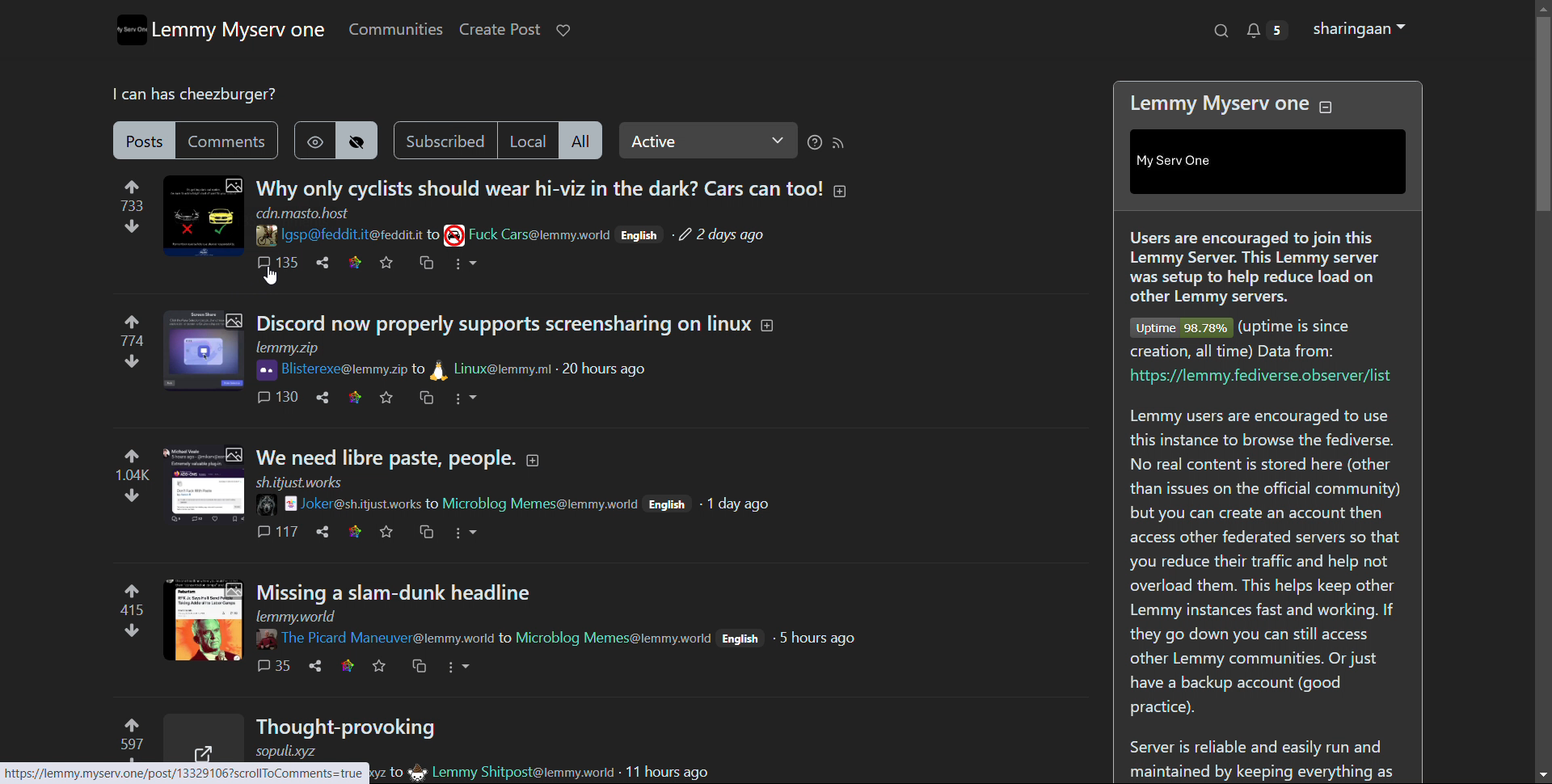 This screenshot has width=1552, height=784. Describe the element at coordinates (464, 398) in the screenshot. I see `options` at that location.